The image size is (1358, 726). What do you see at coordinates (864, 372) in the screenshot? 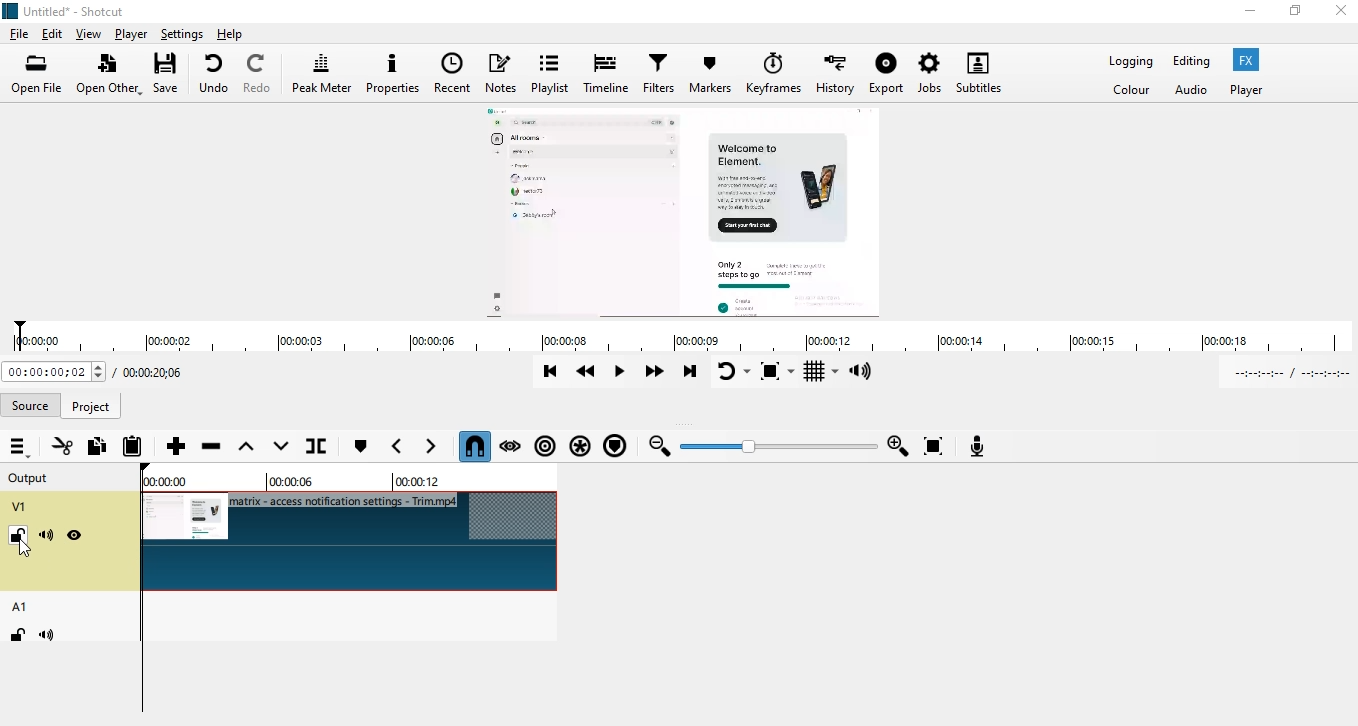
I see `Show volume control` at bounding box center [864, 372].